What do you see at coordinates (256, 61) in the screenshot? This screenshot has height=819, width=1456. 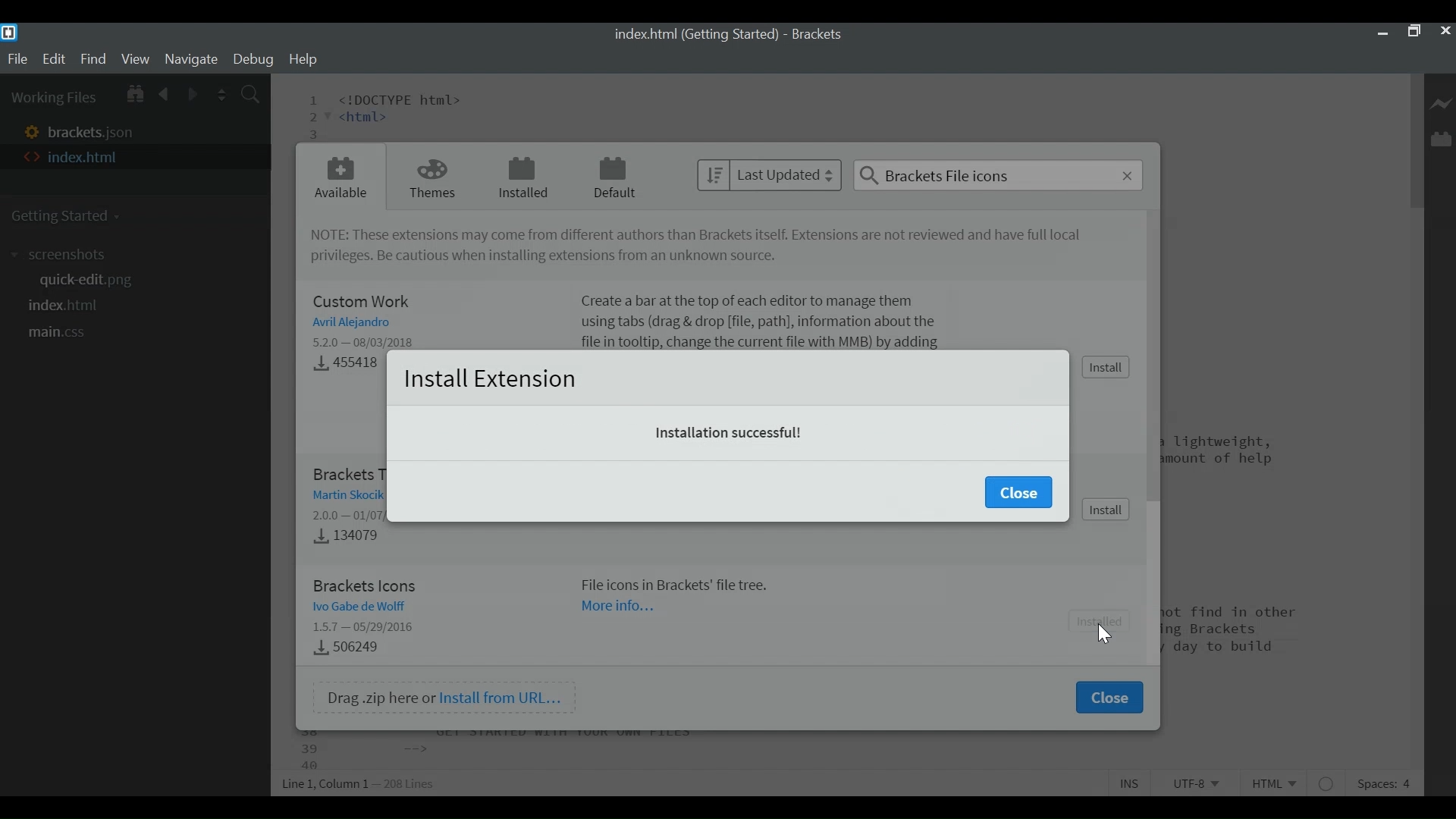 I see `Debug` at bounding box center [256, 61].